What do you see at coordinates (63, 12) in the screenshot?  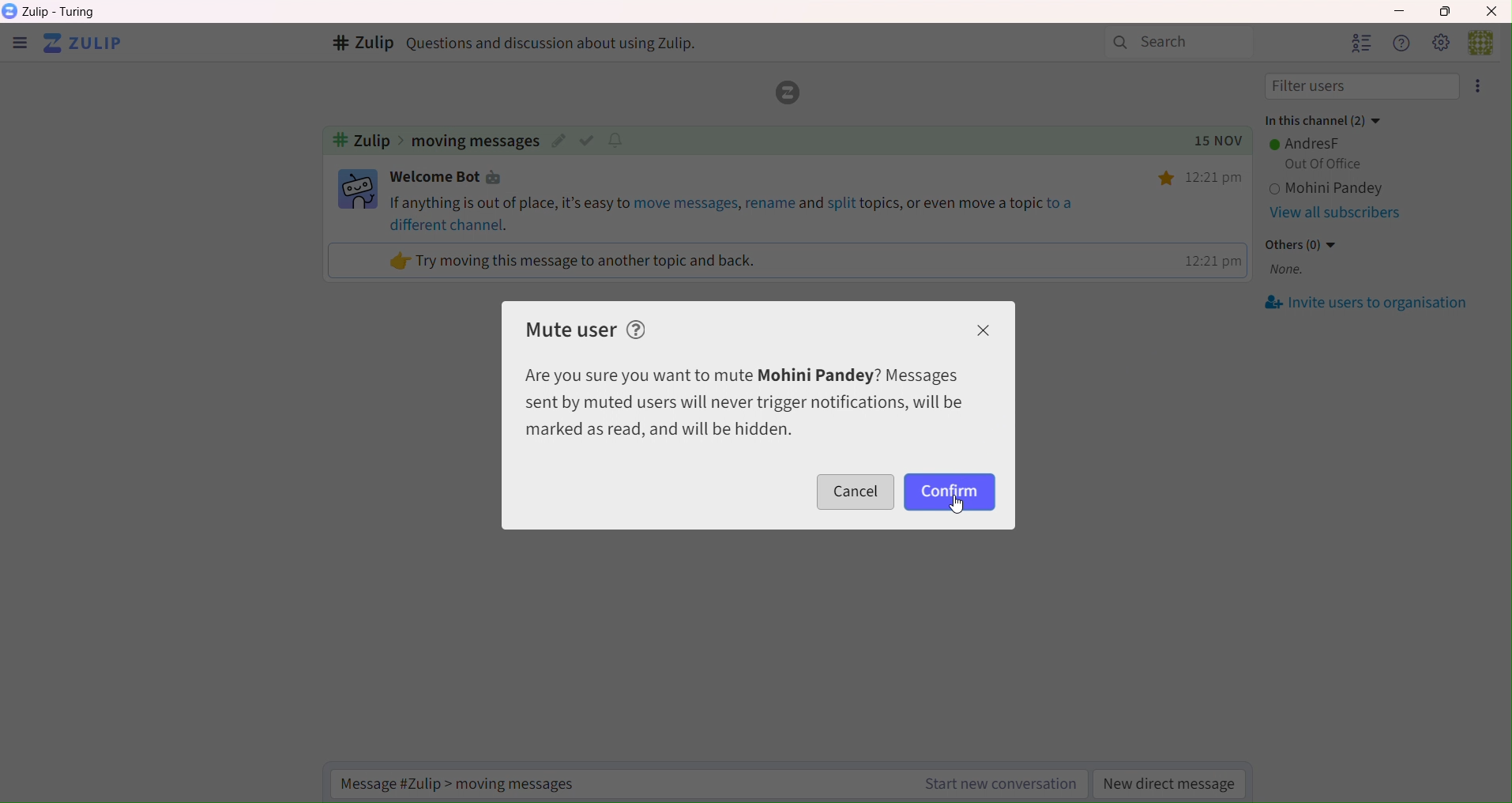 I see `Zulip - Turing` at bounding box center [63, 12].